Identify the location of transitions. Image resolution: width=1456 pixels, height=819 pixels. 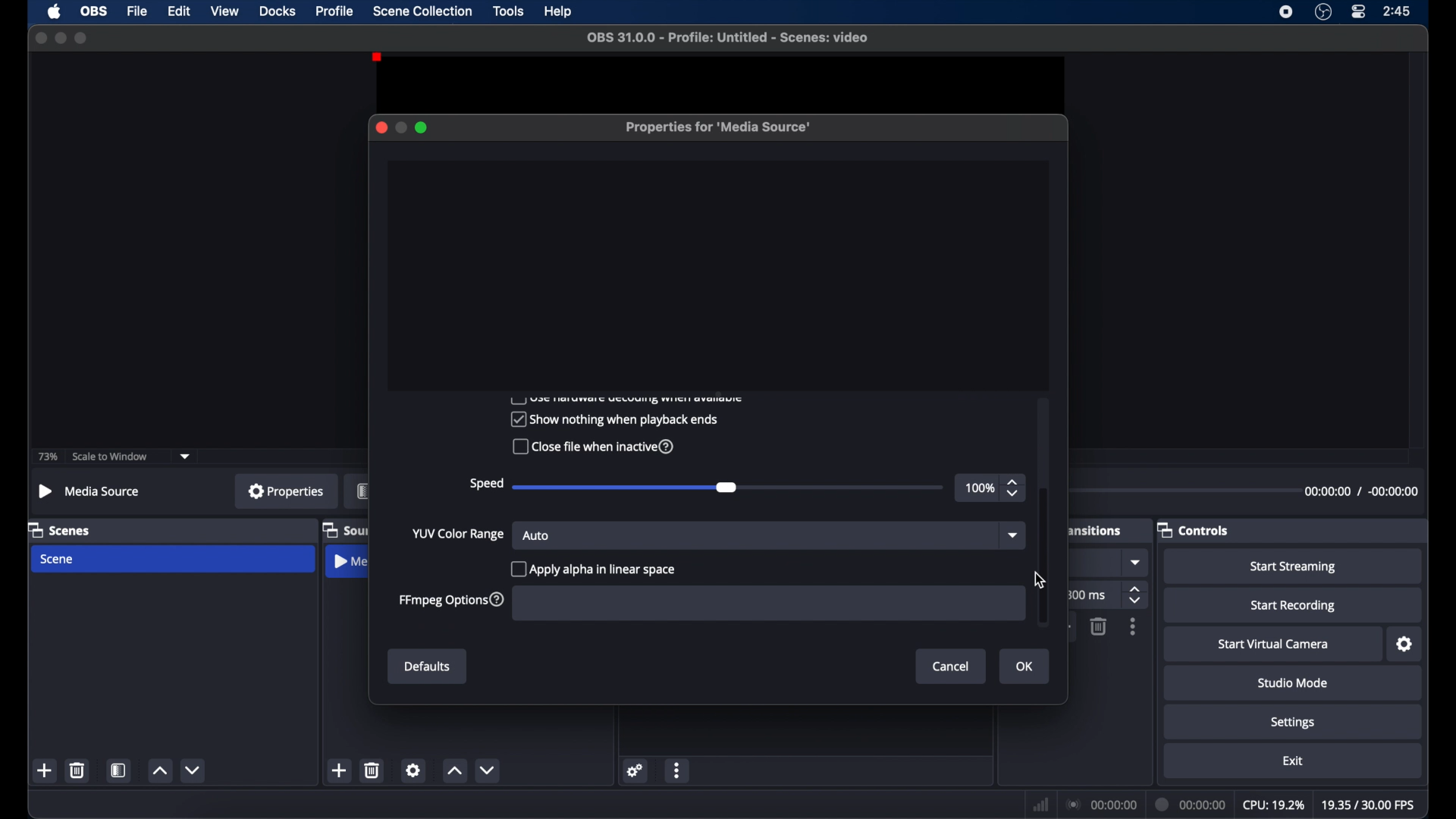
(1094, 531).